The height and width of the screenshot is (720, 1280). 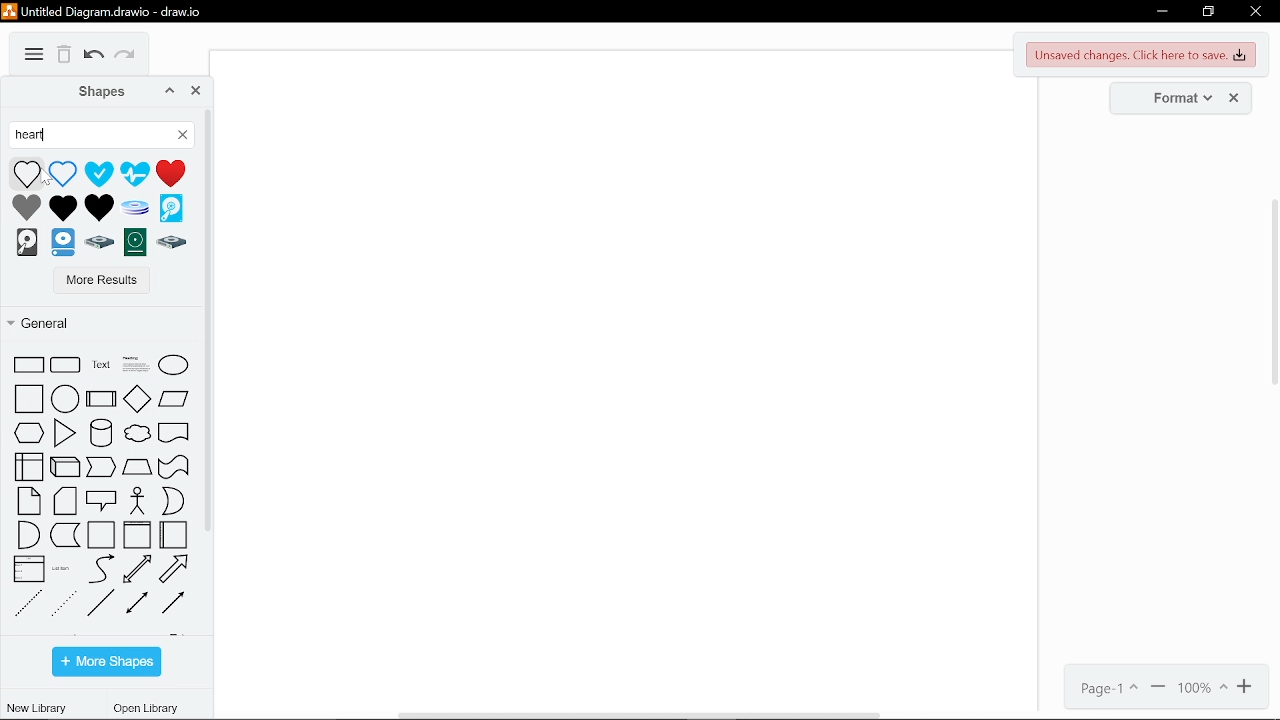 What do you see at coordinates (99, 243) in the screenshot?
I see `Hard drive` at bounding box center [99, 243].